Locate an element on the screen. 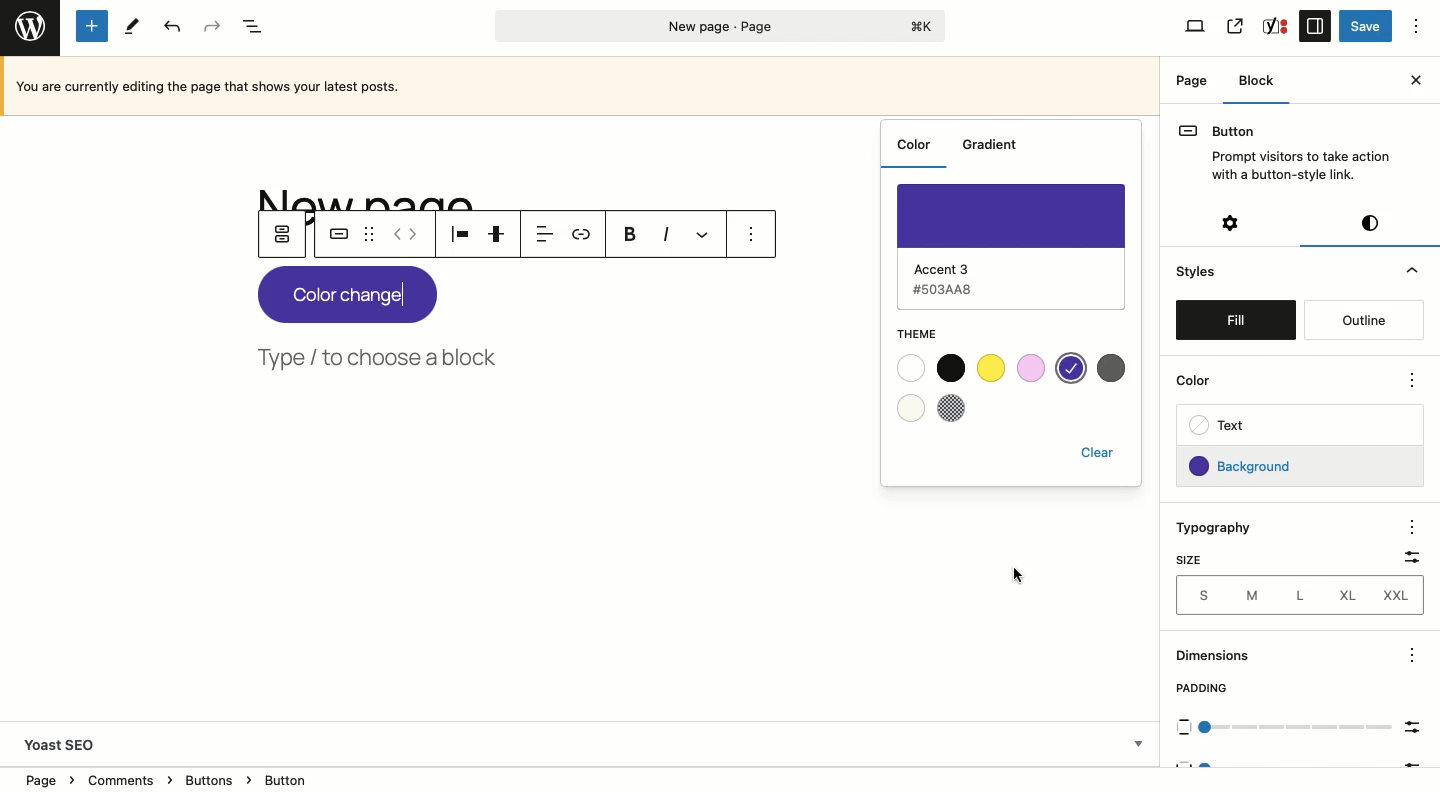 Image resolution: width=1440 pixels, height=792 pixels. Link is located at coordinates (581, 234).